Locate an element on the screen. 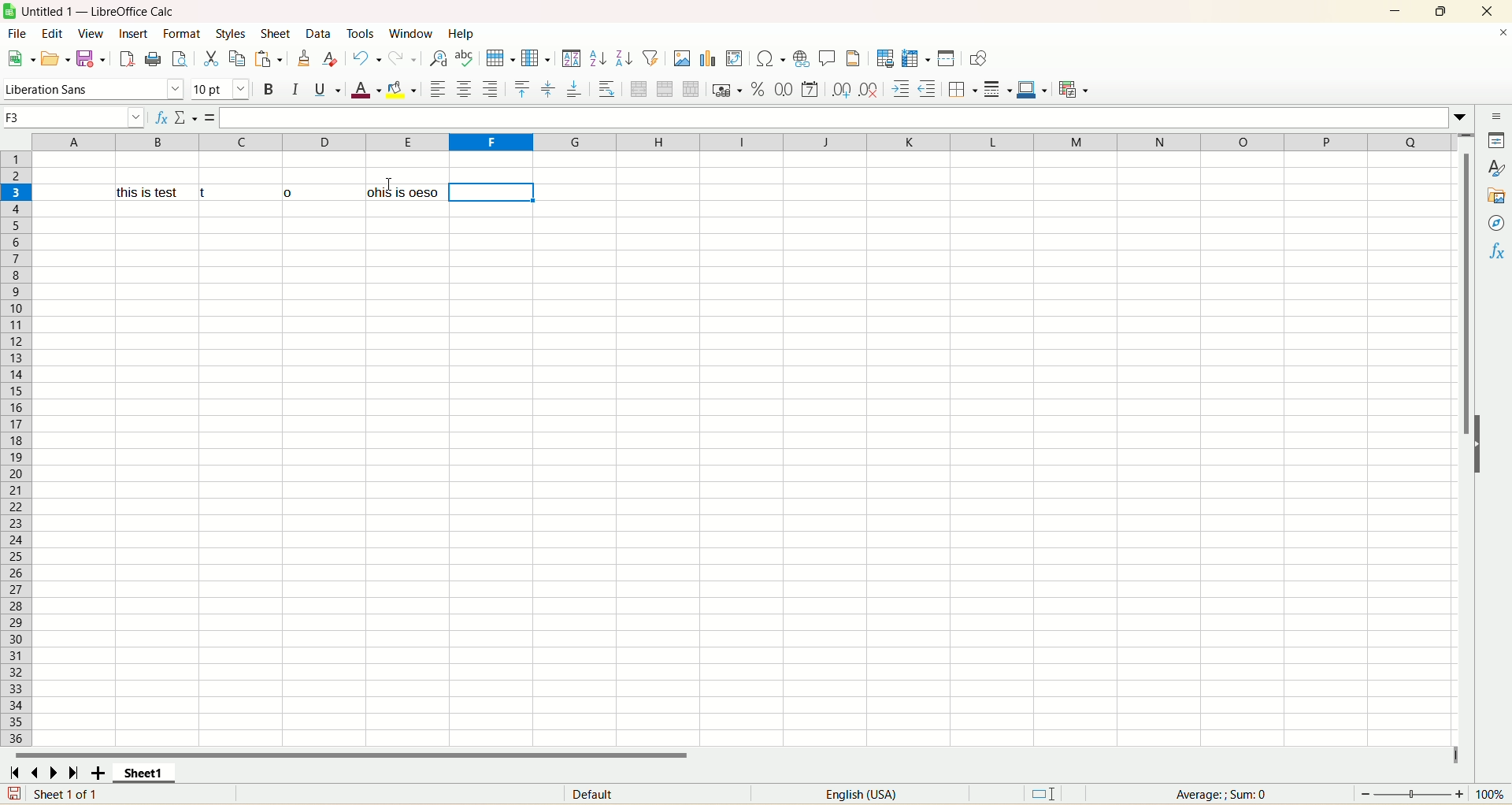 This screenshot has width=1512, height=805. border color is located at coordinates (1031, 89).